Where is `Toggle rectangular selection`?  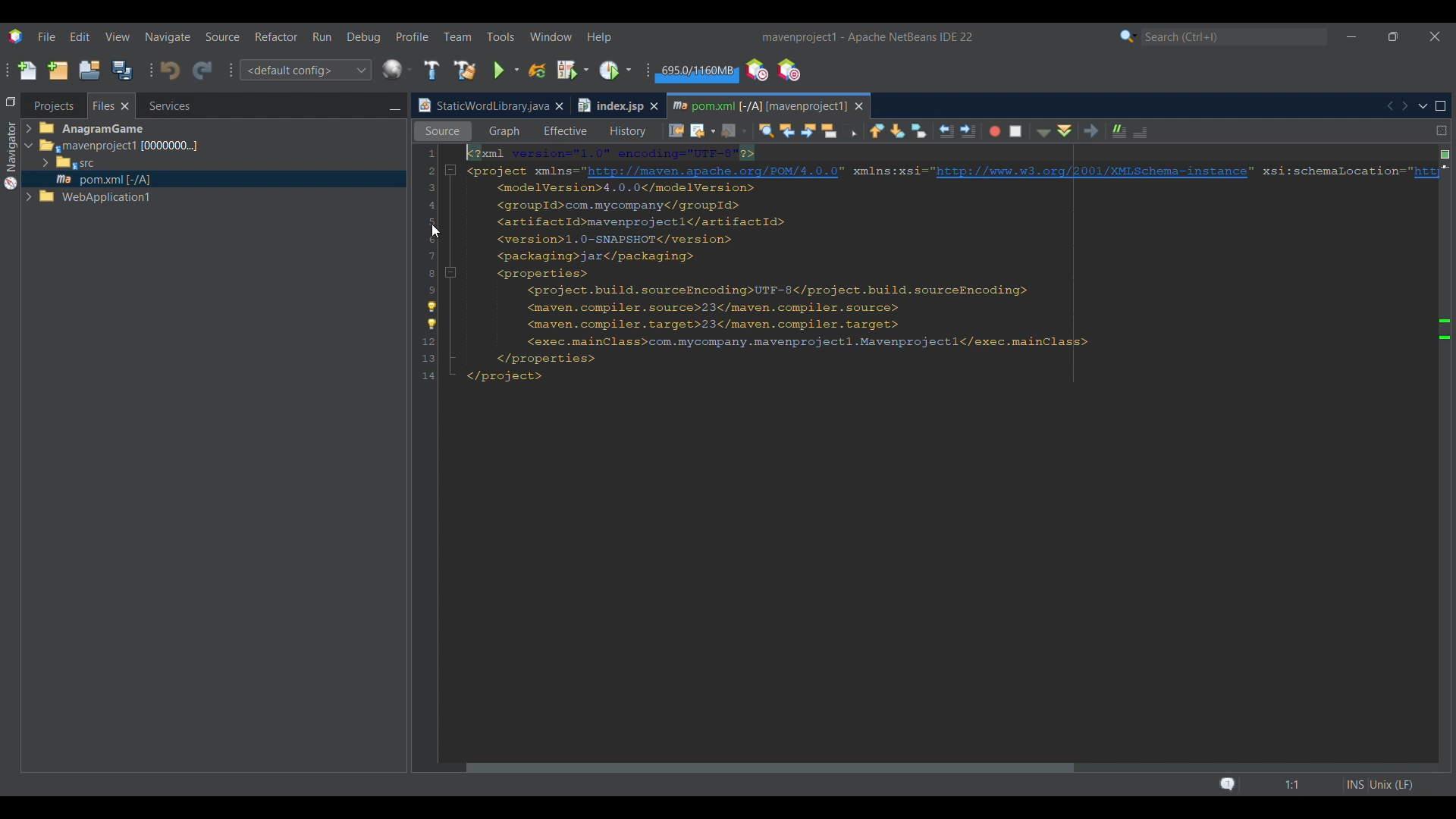 Toggle rectangular selection is located at coordinates (852, 132).